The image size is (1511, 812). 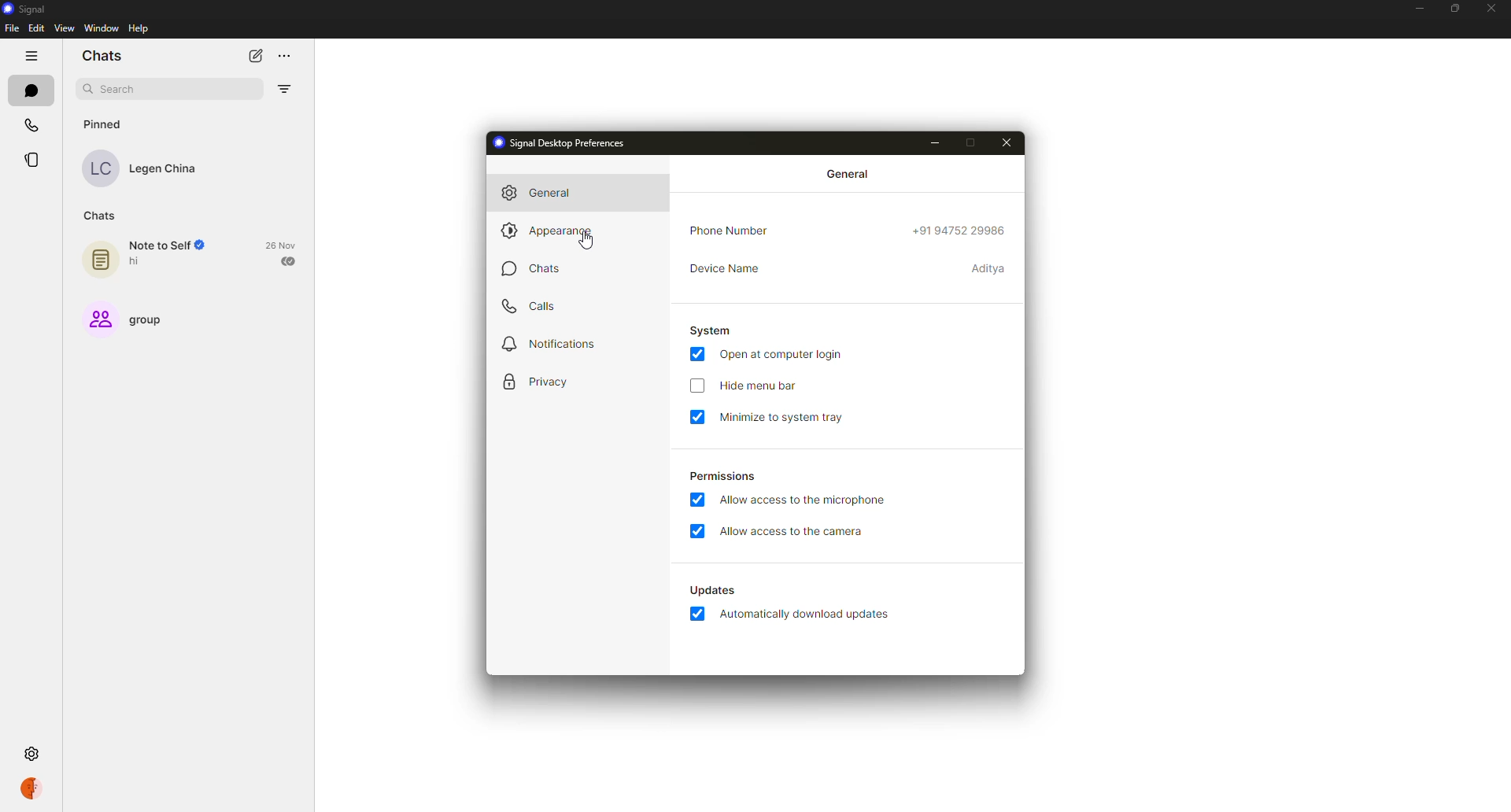 I want to click on enabled, so click(x=694, y=615).